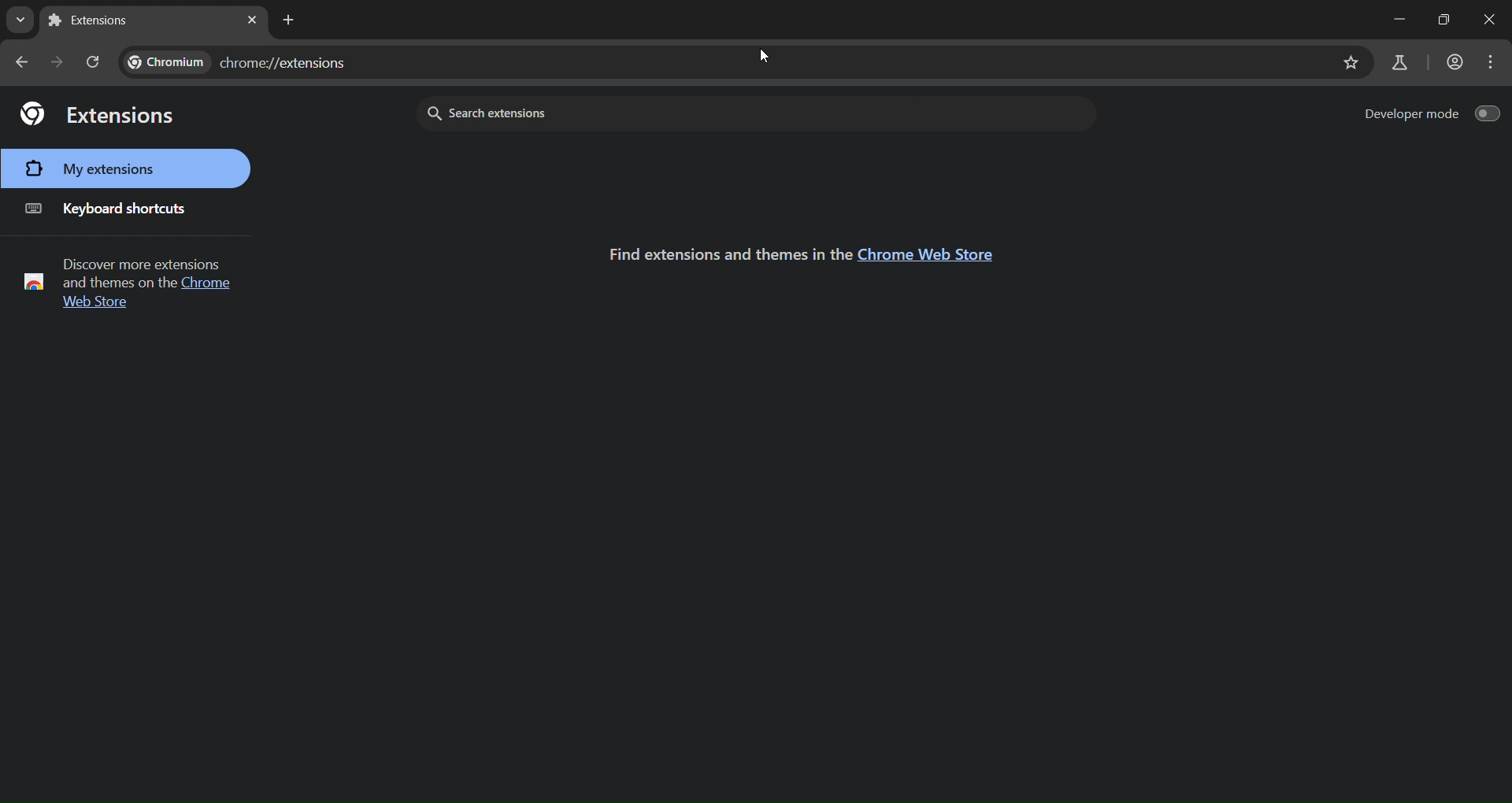  What do you see at coordinates (1387, 17) in the screenshot?
I see `minimize` at bounding box center [1387, 17].